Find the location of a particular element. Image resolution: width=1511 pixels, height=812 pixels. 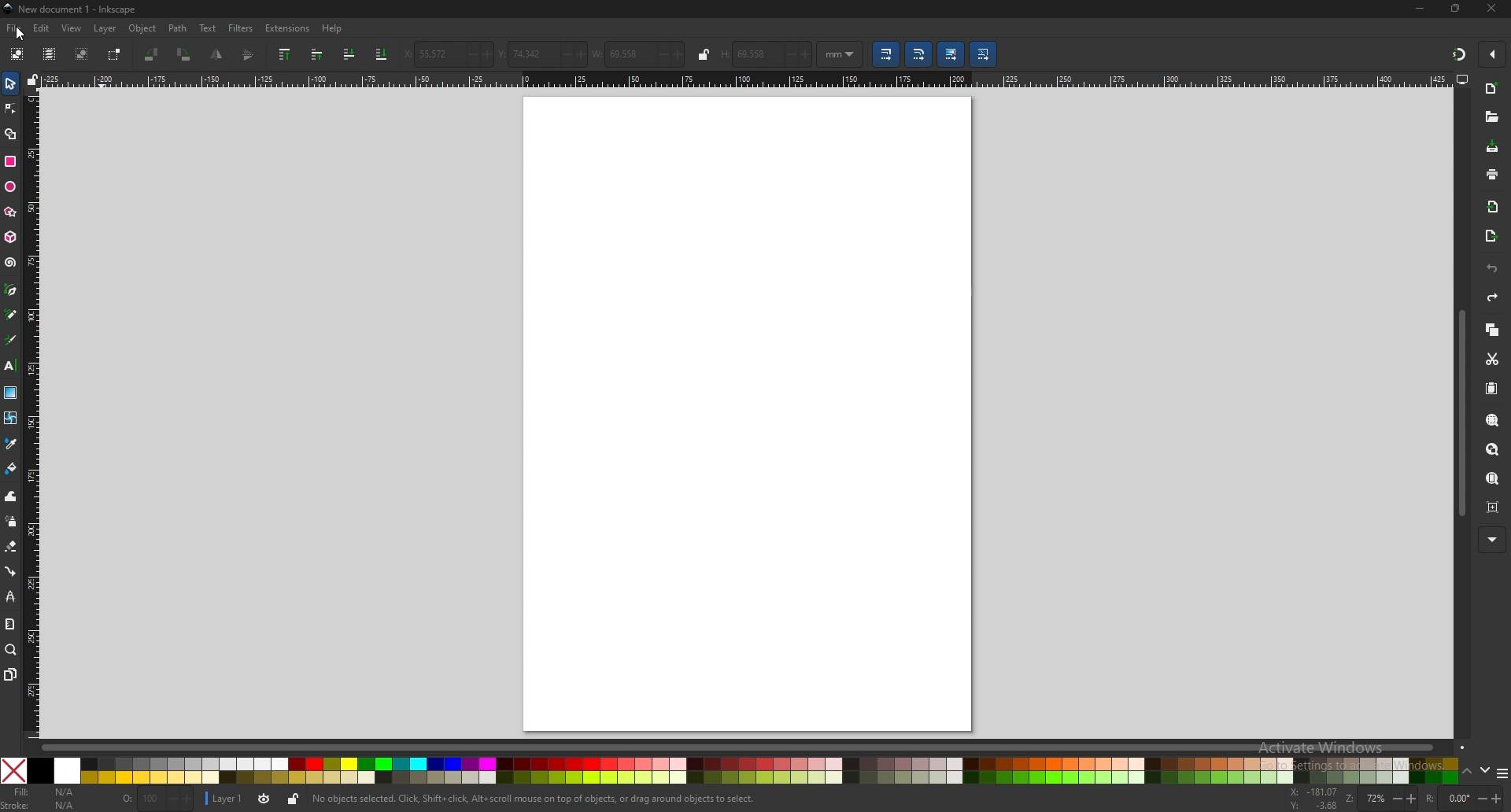

rectangle is located at coordinates (10, 161).